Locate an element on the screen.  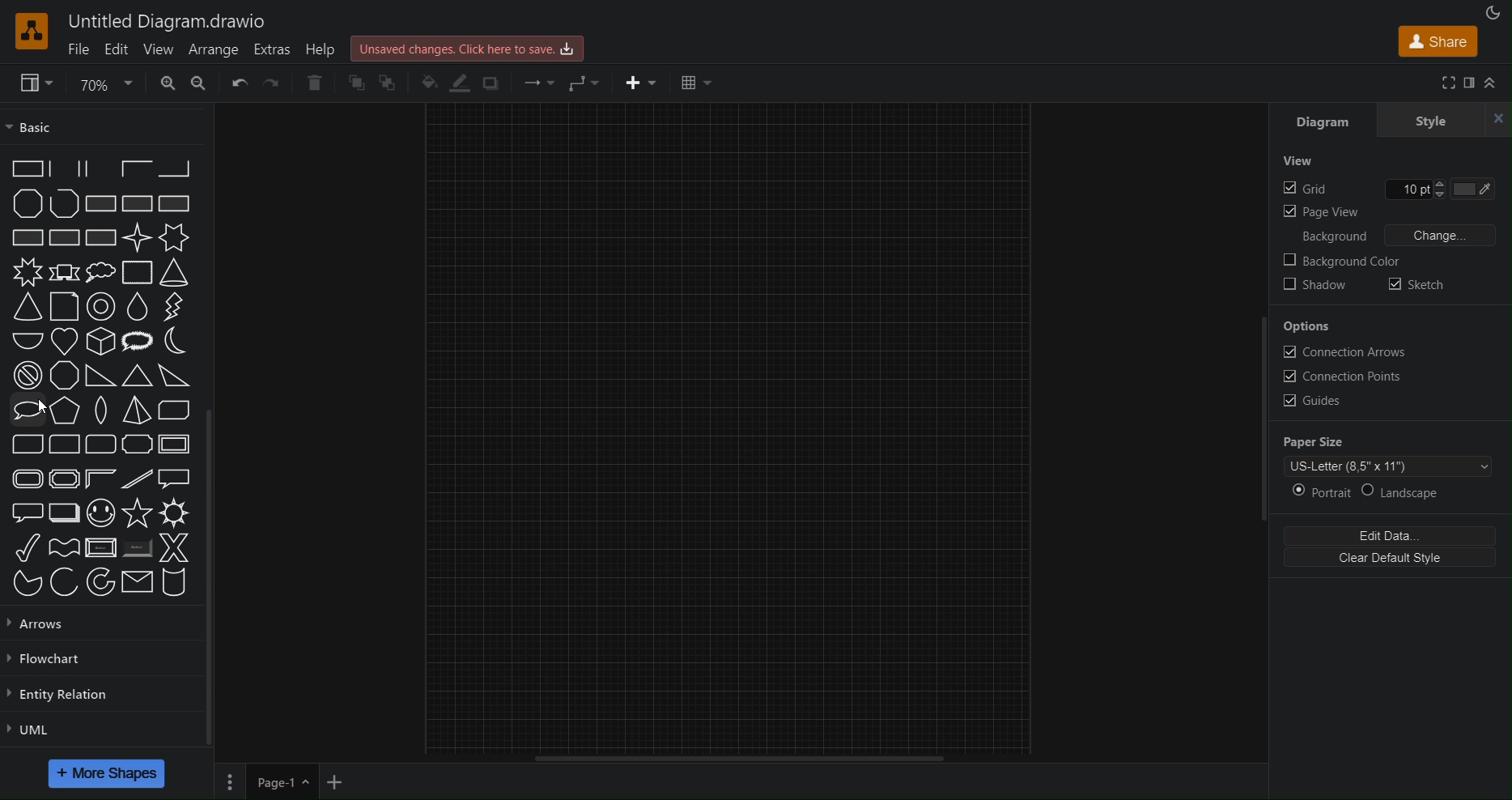
Page 1 is located at coordinates (285, 780).